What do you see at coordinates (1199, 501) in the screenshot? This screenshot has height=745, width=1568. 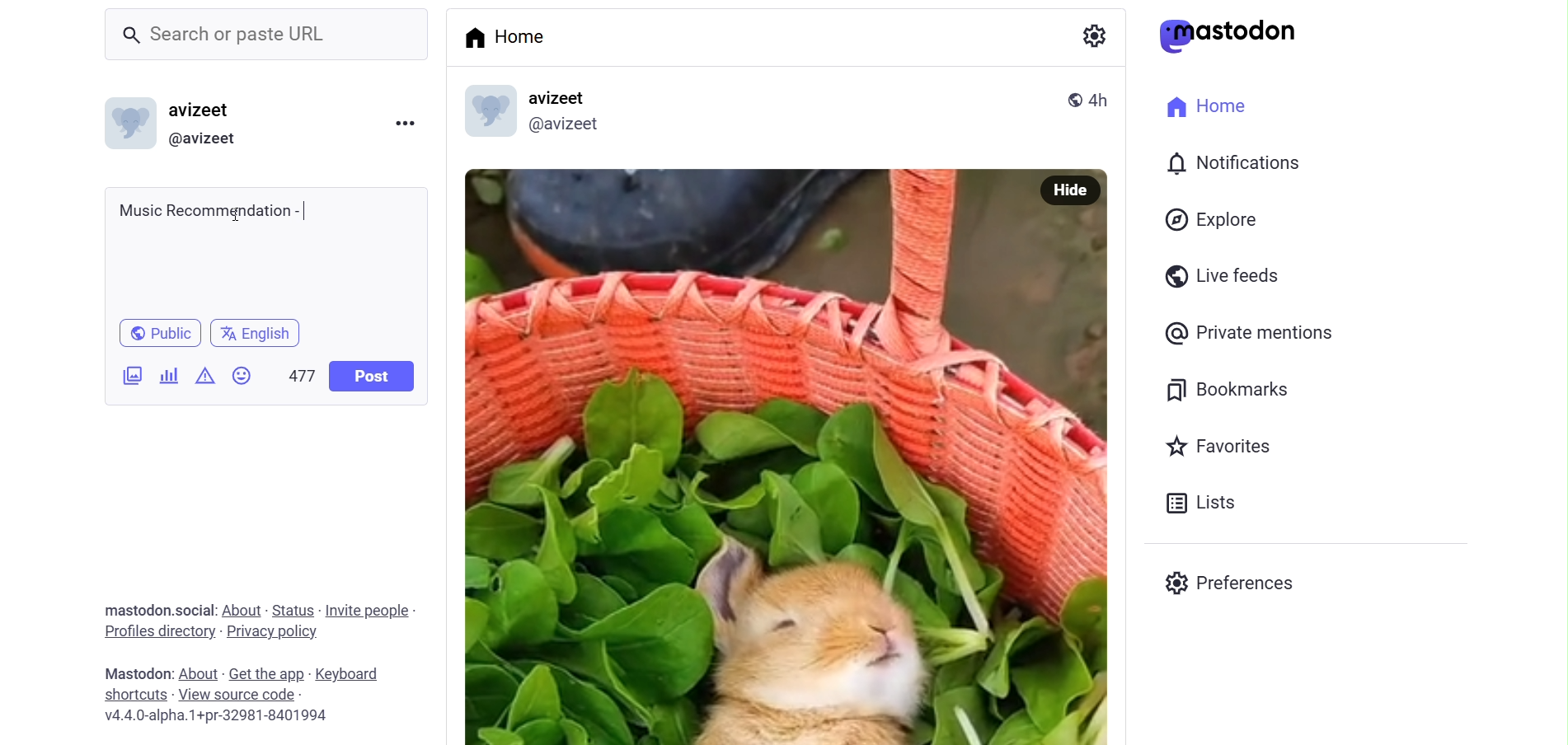 I see `Lists` at bounding box center [1199, 501].